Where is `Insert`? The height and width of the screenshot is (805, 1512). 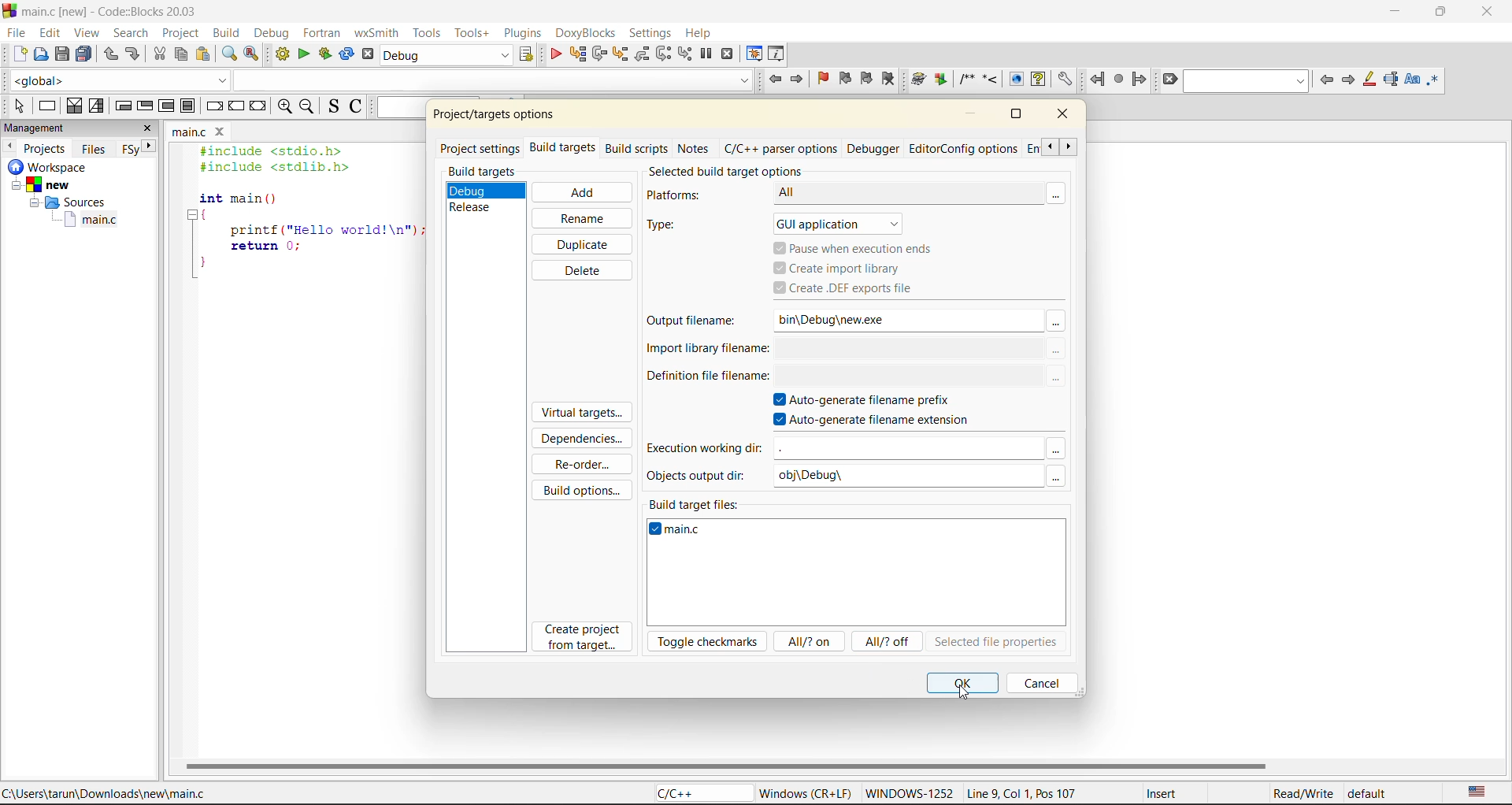 Insert is located at coordinates (1185, 792).